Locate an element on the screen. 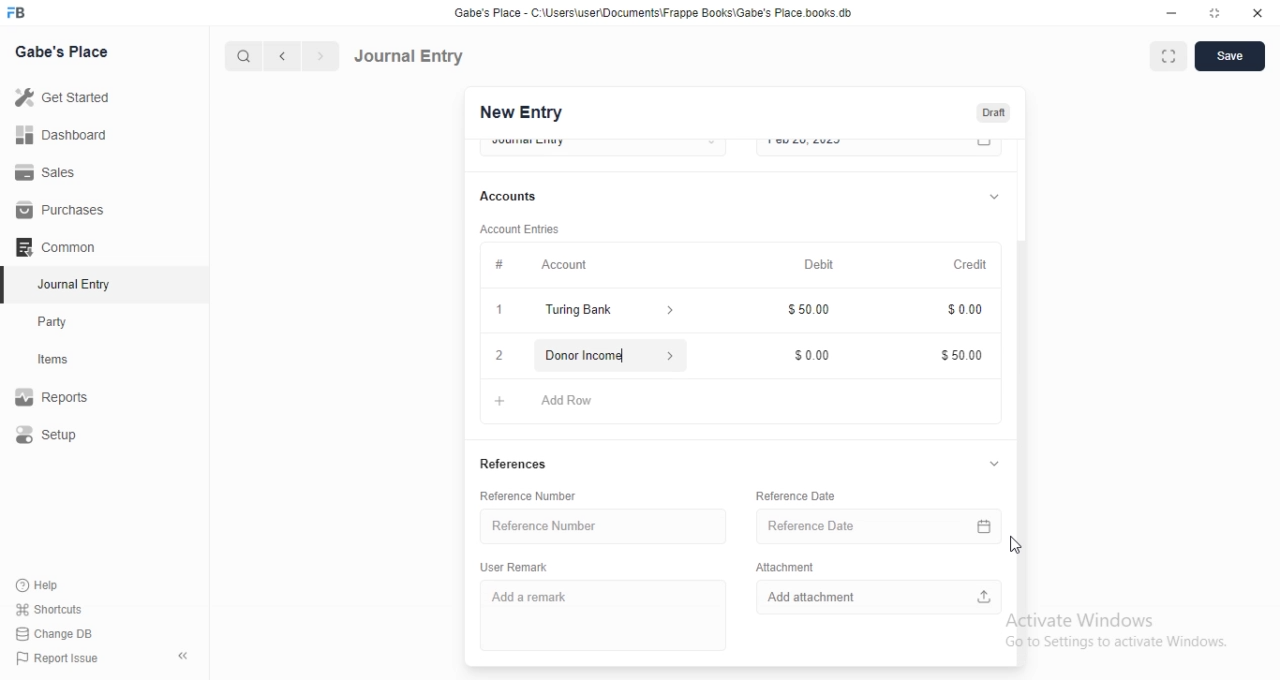 Image resolution: width=1280 pixels, height=680 pixels. turing bank is located at coordinates (605, 312).